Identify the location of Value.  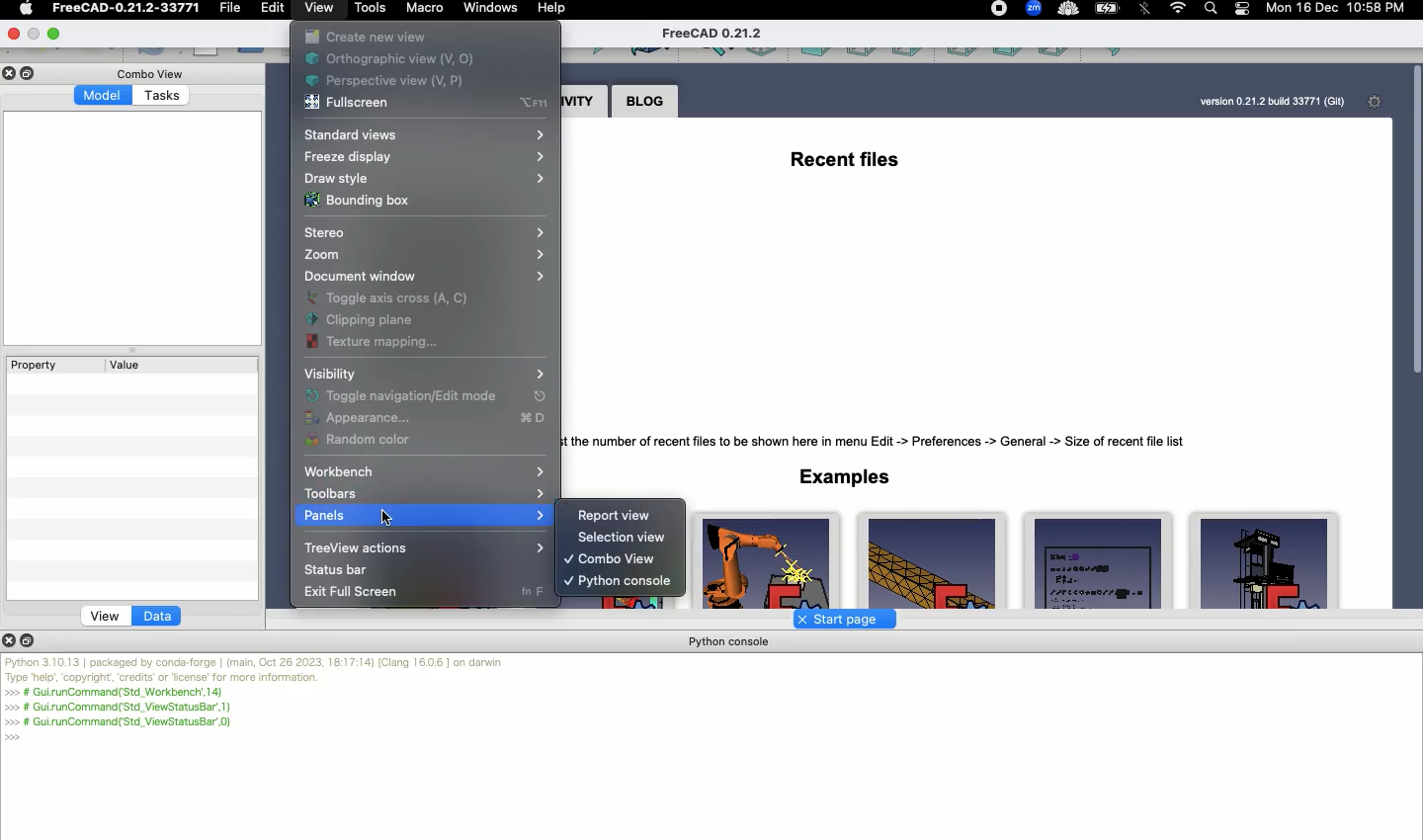
(127, 365).